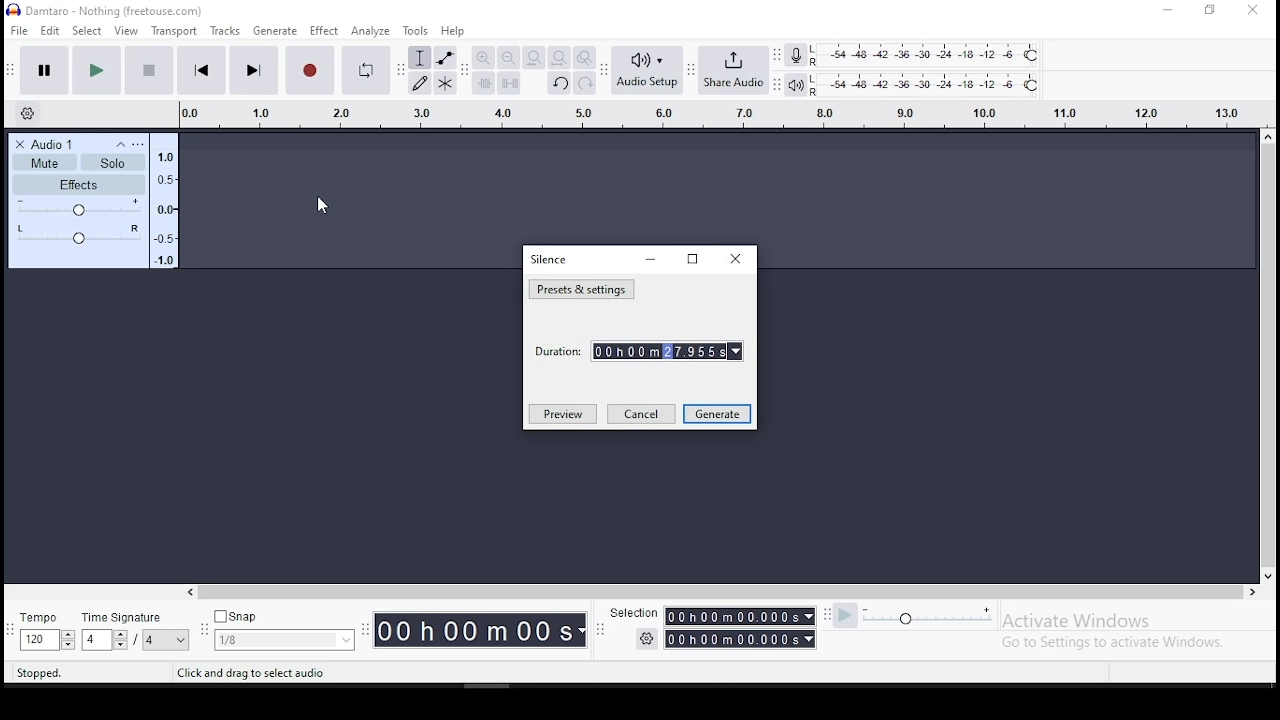  I want to click on Selection timer, so click(713, 616).